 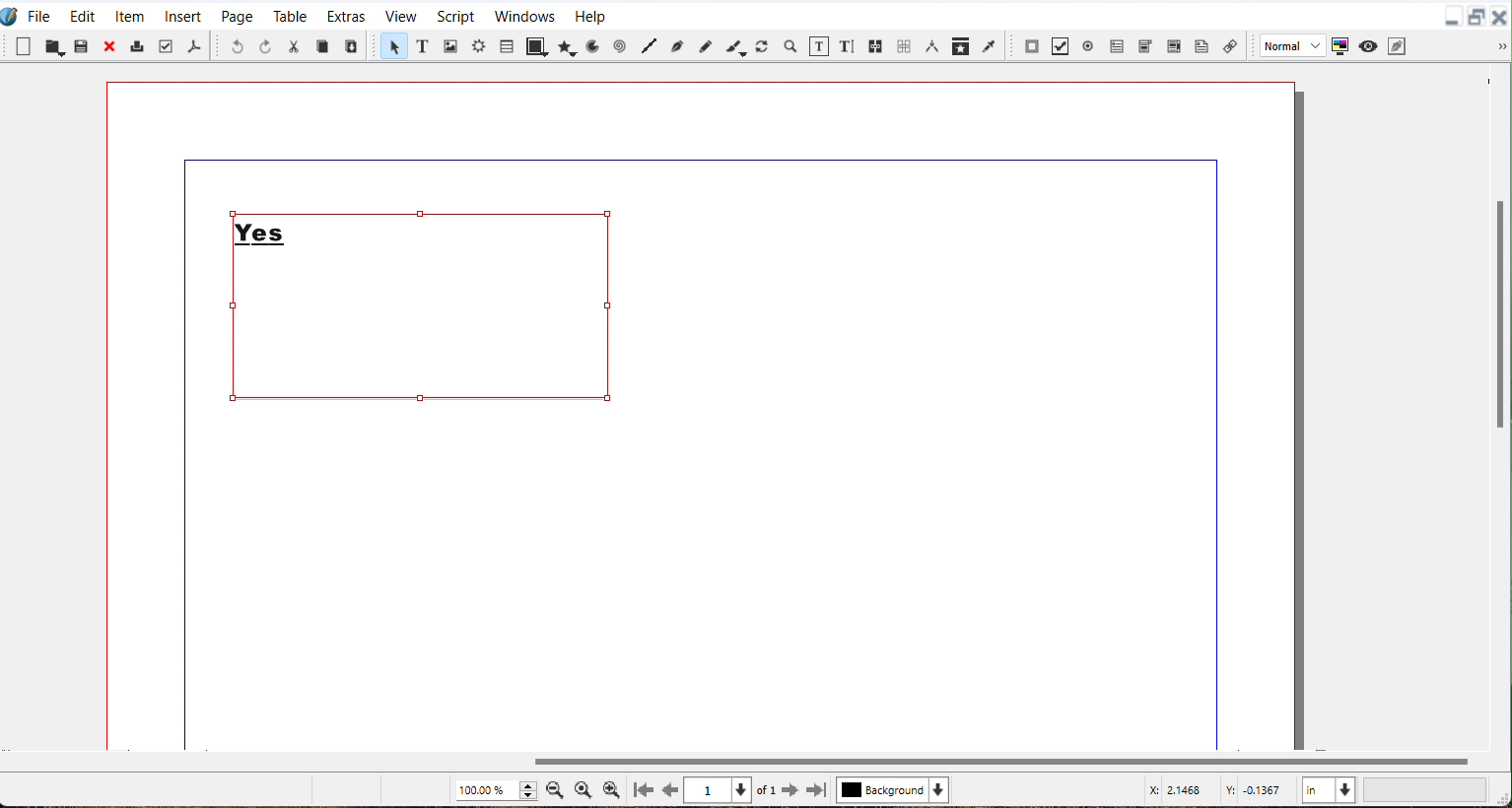 What do you see at coordinates (459, 214) in the screenshot?
I see `text frame` at bounding box center [459, 214].